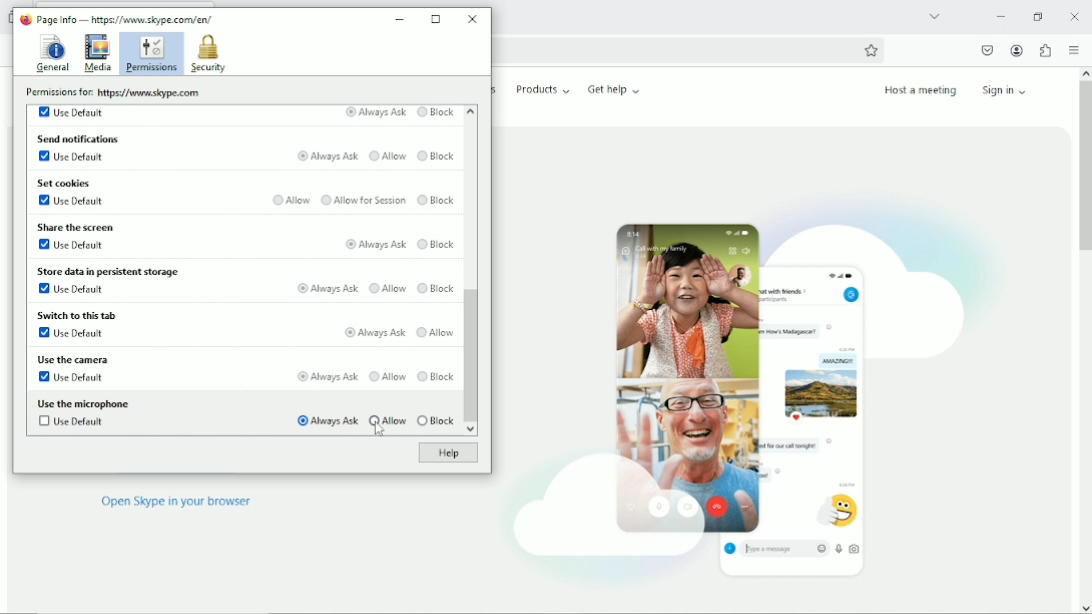 The width and height of the screenshot is (1092, 614). Describe the element at coordinates (74, 423) in the screenshot. I see `Use default` at that location.